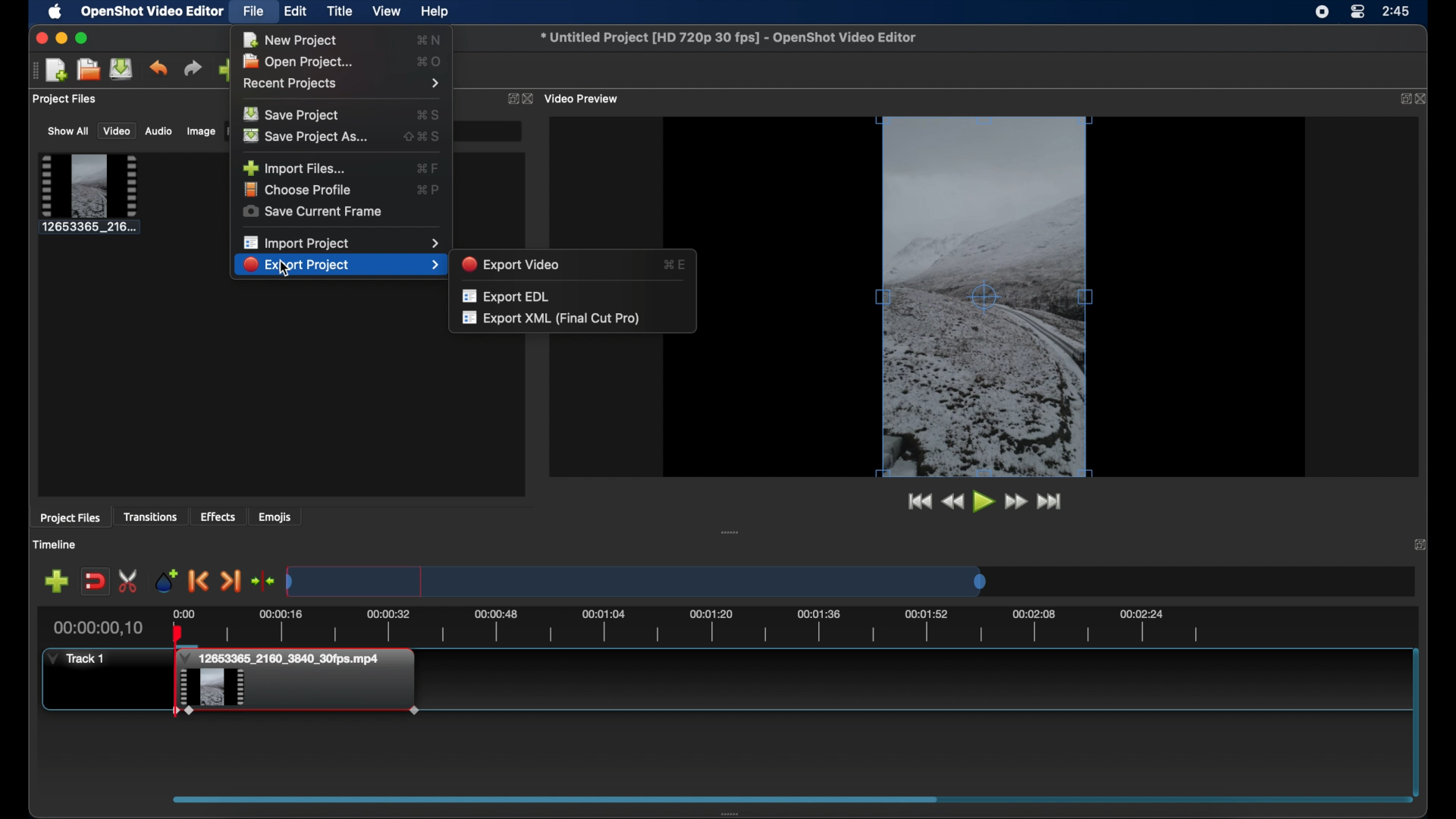  What do you see at coordinates (508, 295) in the screenshot?
I see `export edl` at bounding box center [508, 295].